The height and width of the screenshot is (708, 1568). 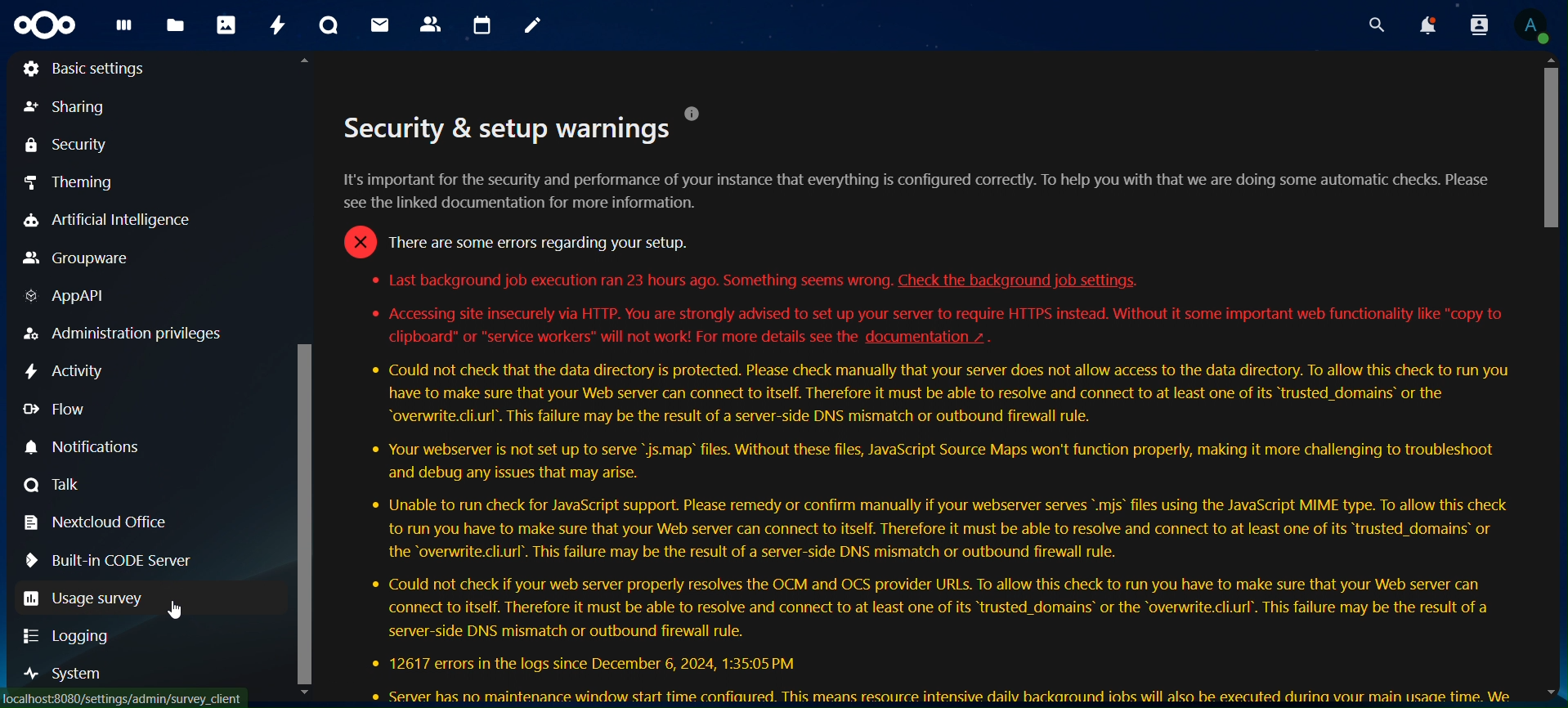 I want to click on notifications, so click(x=1429, y=23).